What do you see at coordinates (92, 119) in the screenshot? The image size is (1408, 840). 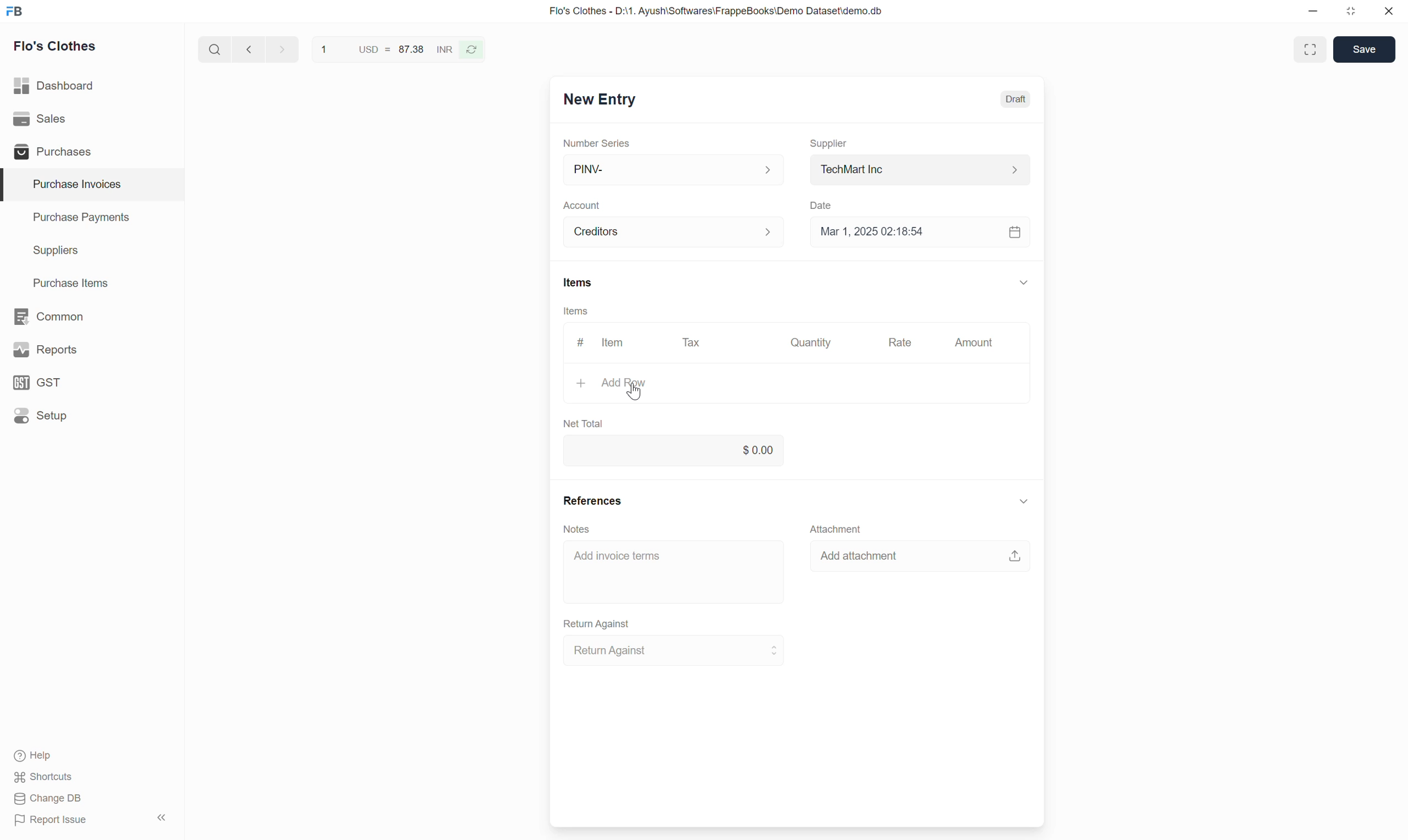 I see `Sales` at bounding box center [92, 119].